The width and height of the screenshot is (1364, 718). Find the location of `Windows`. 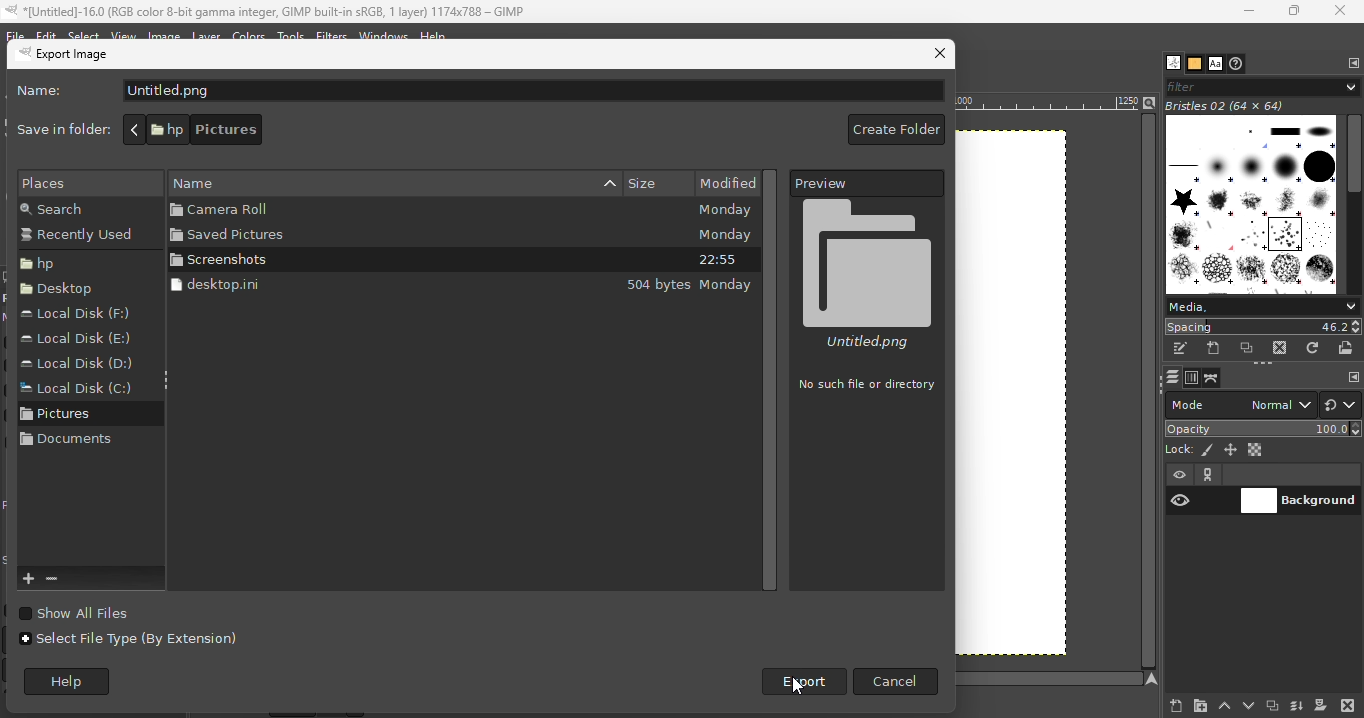

Windows is located at coordinates (384, 35).